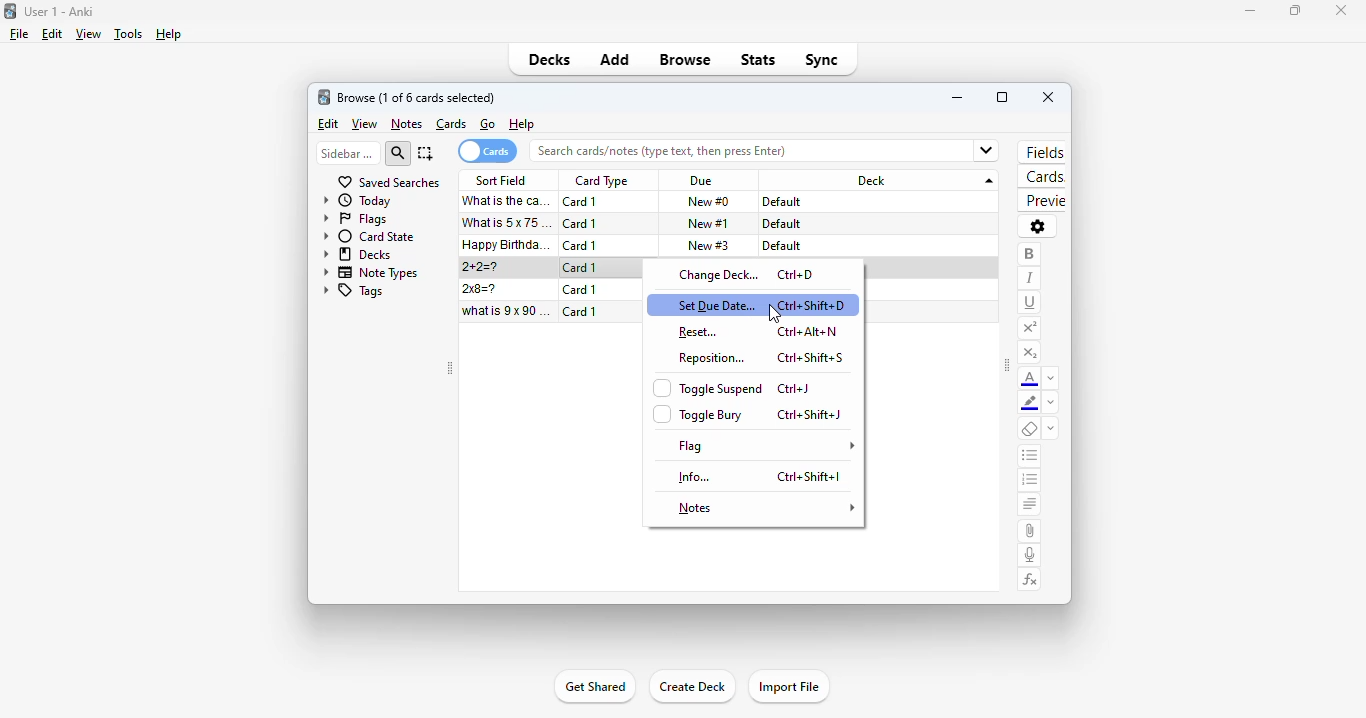  What do you see at coordinates (1340, 9) in the screenshot?
I see `close` at bounding box center [1340, 9].